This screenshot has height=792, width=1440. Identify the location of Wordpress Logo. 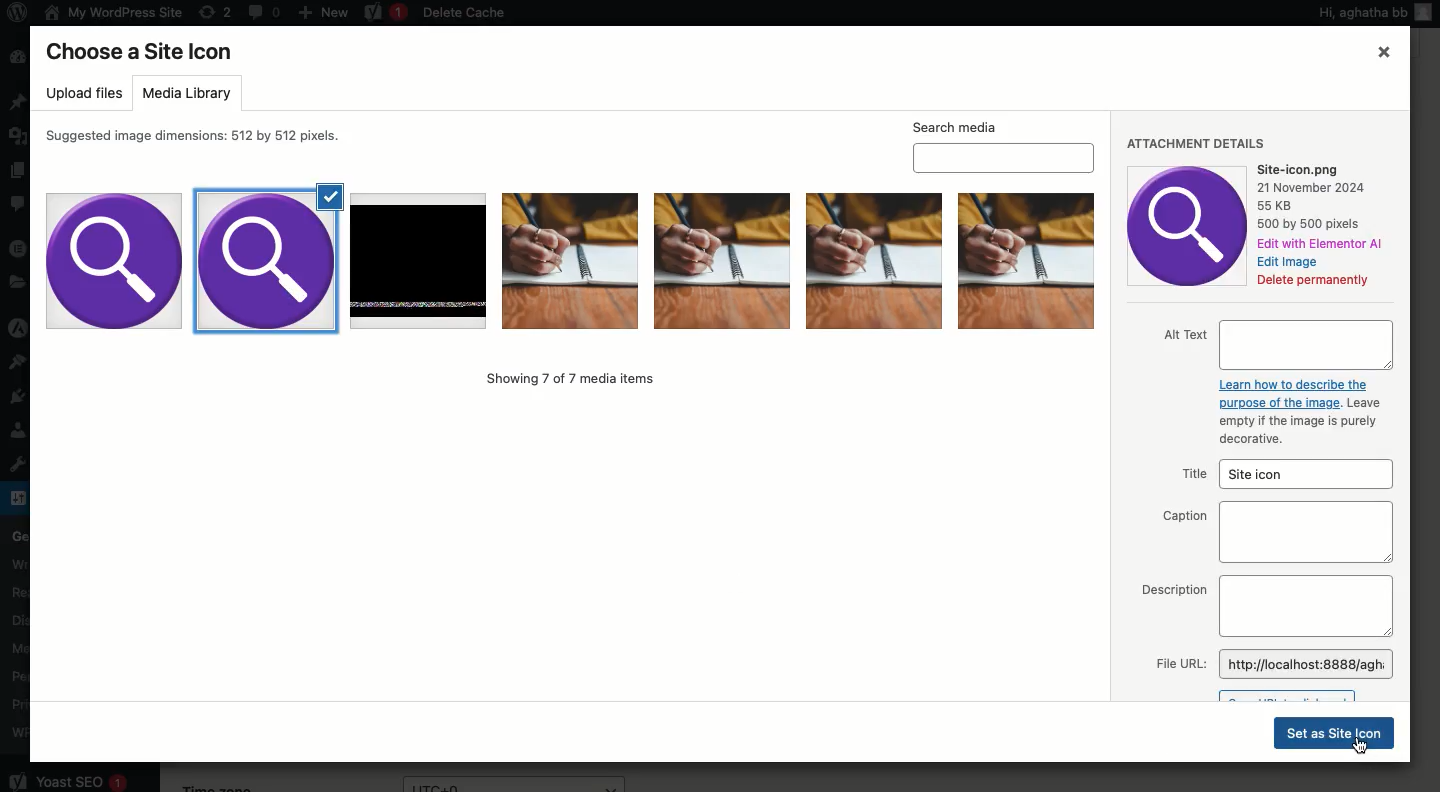
(15, 14).